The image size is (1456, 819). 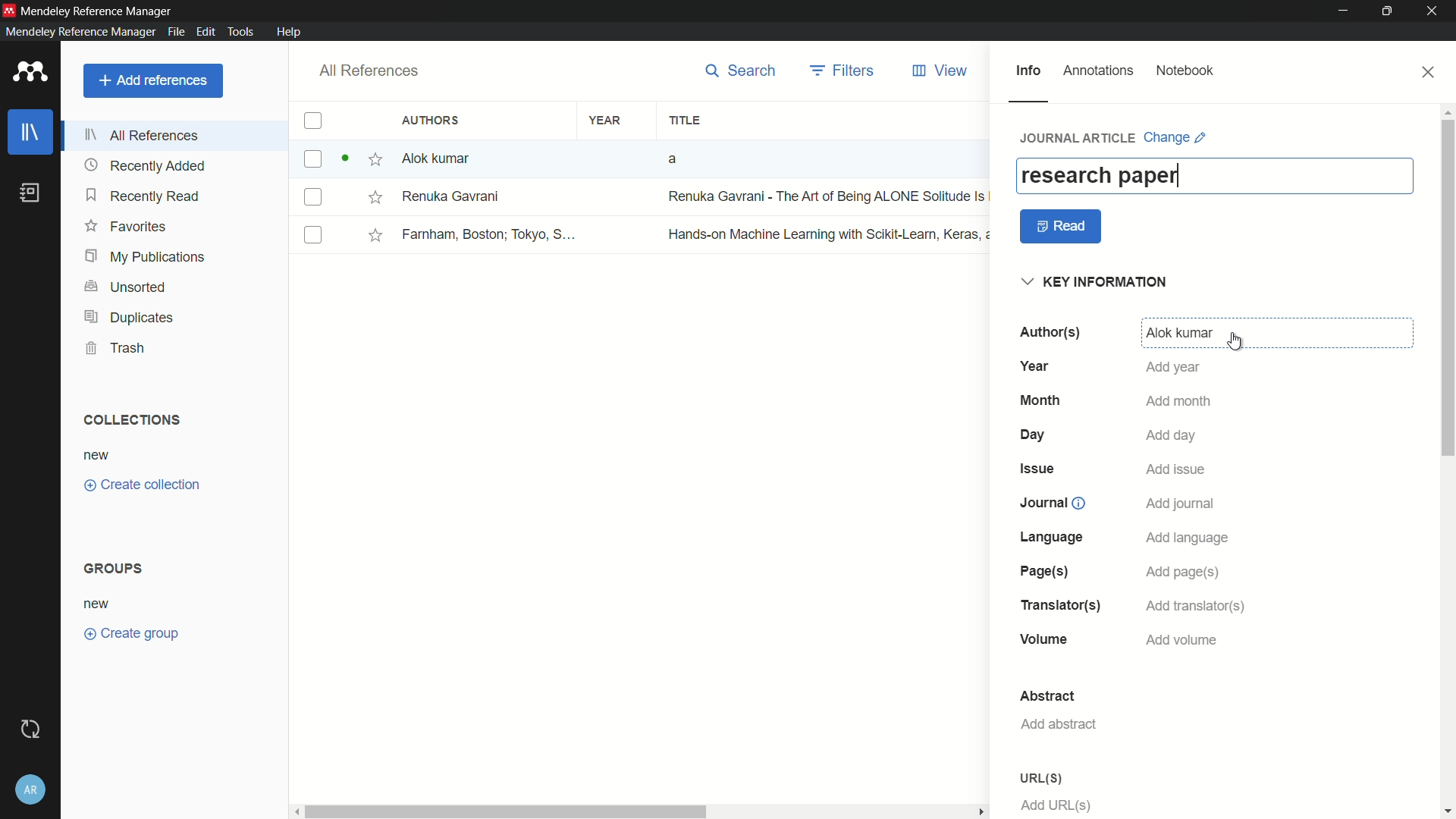 I want to click on cursor, so click(x=1236, y=342).